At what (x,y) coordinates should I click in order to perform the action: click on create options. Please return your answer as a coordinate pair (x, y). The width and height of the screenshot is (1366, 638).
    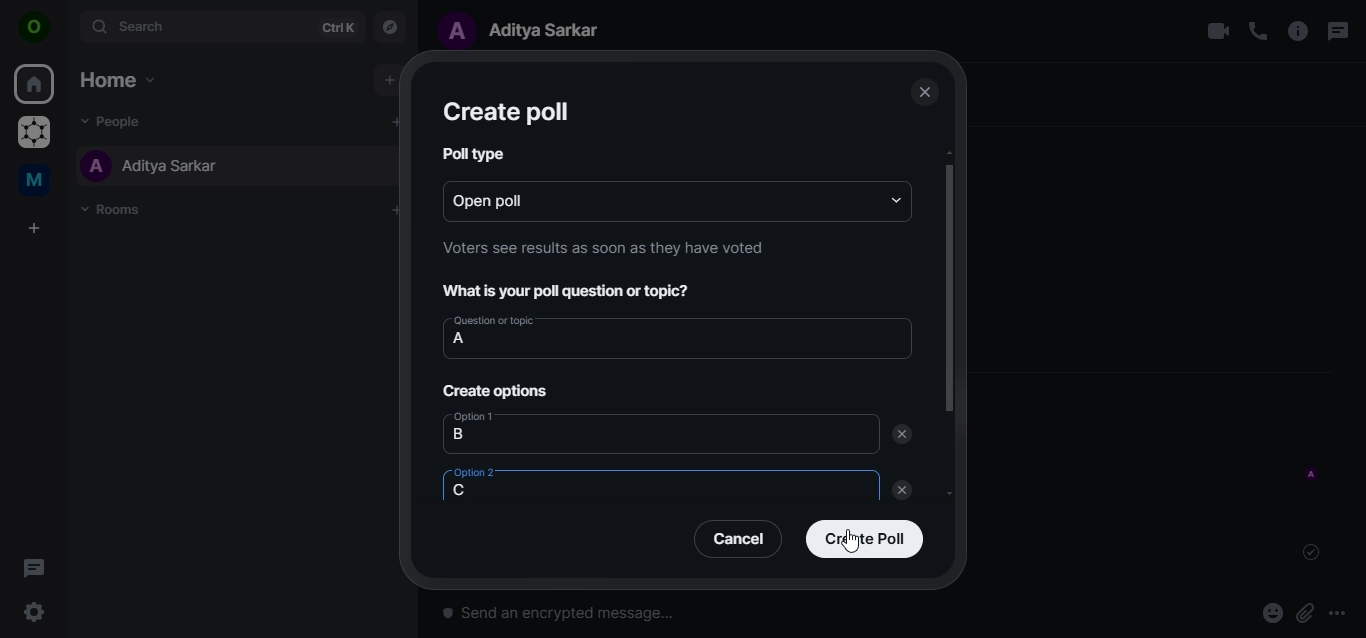
    Looking at the image, I should click on (501, 393).